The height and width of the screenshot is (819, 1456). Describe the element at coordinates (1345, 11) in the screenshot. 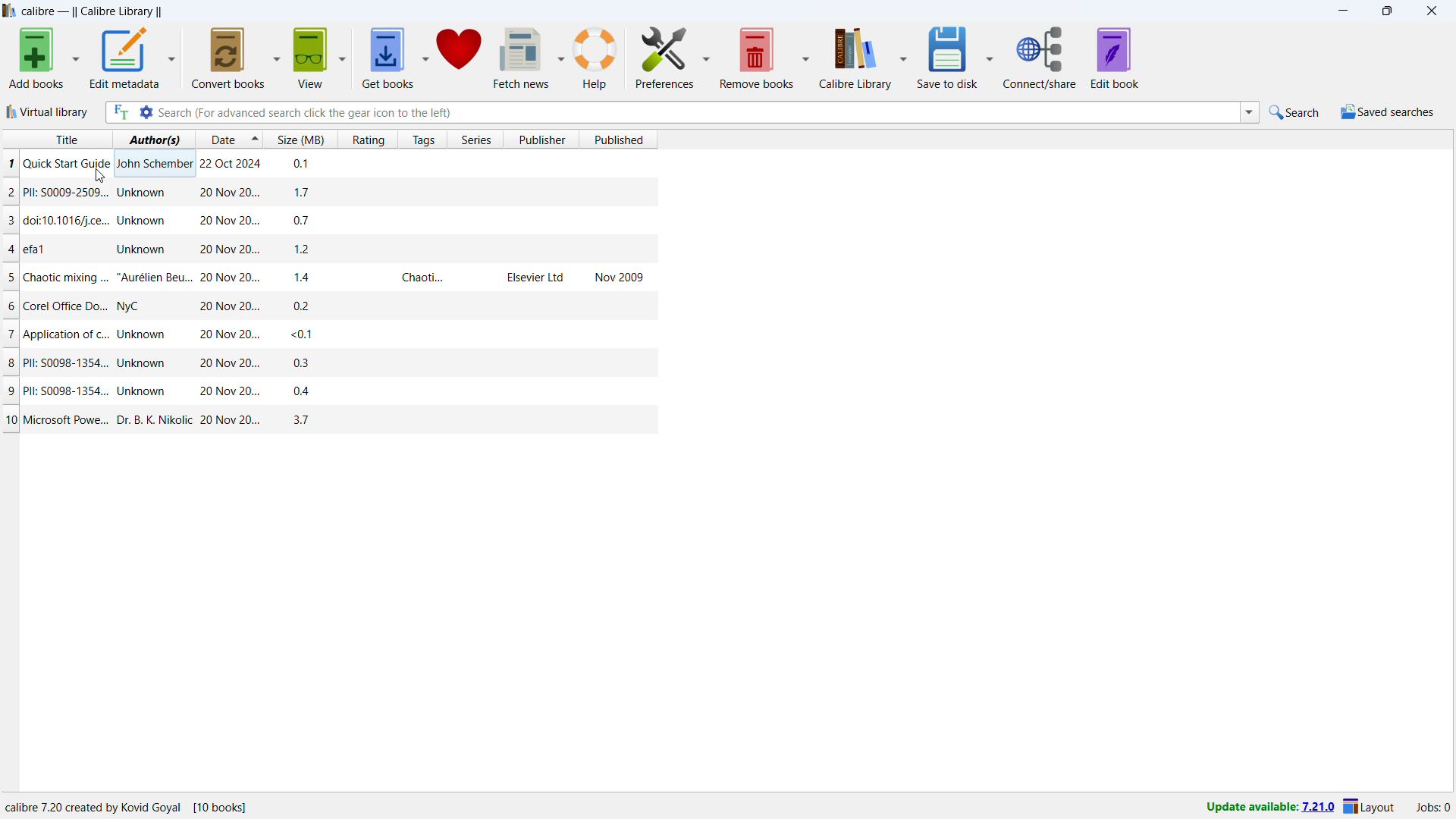

I see `minimize` at that location.